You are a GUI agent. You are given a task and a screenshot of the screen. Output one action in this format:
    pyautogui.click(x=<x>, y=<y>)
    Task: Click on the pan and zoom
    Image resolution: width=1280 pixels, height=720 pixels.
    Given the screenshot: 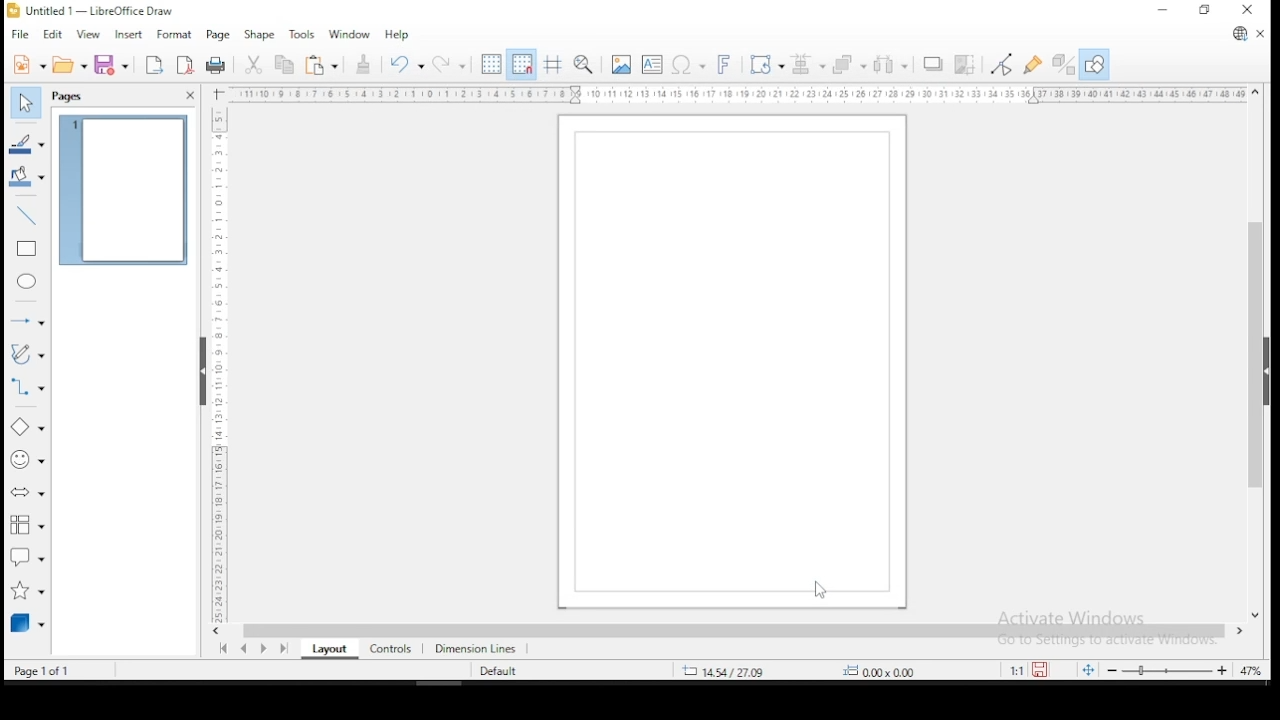 What is the action you would take?
    pyautogui.click(x=584, y=65)
    